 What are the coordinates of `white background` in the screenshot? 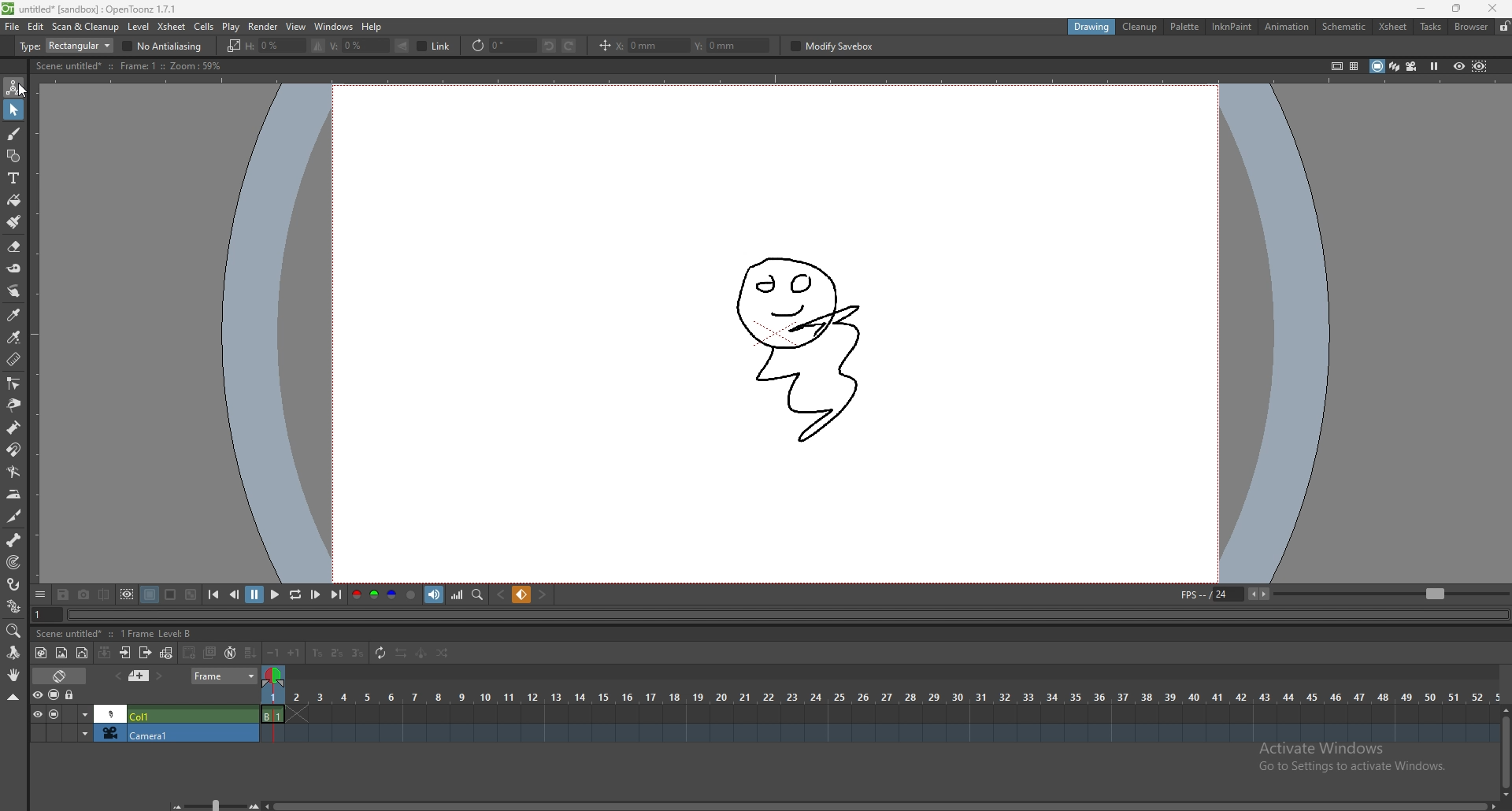 It's located at (170, 594).